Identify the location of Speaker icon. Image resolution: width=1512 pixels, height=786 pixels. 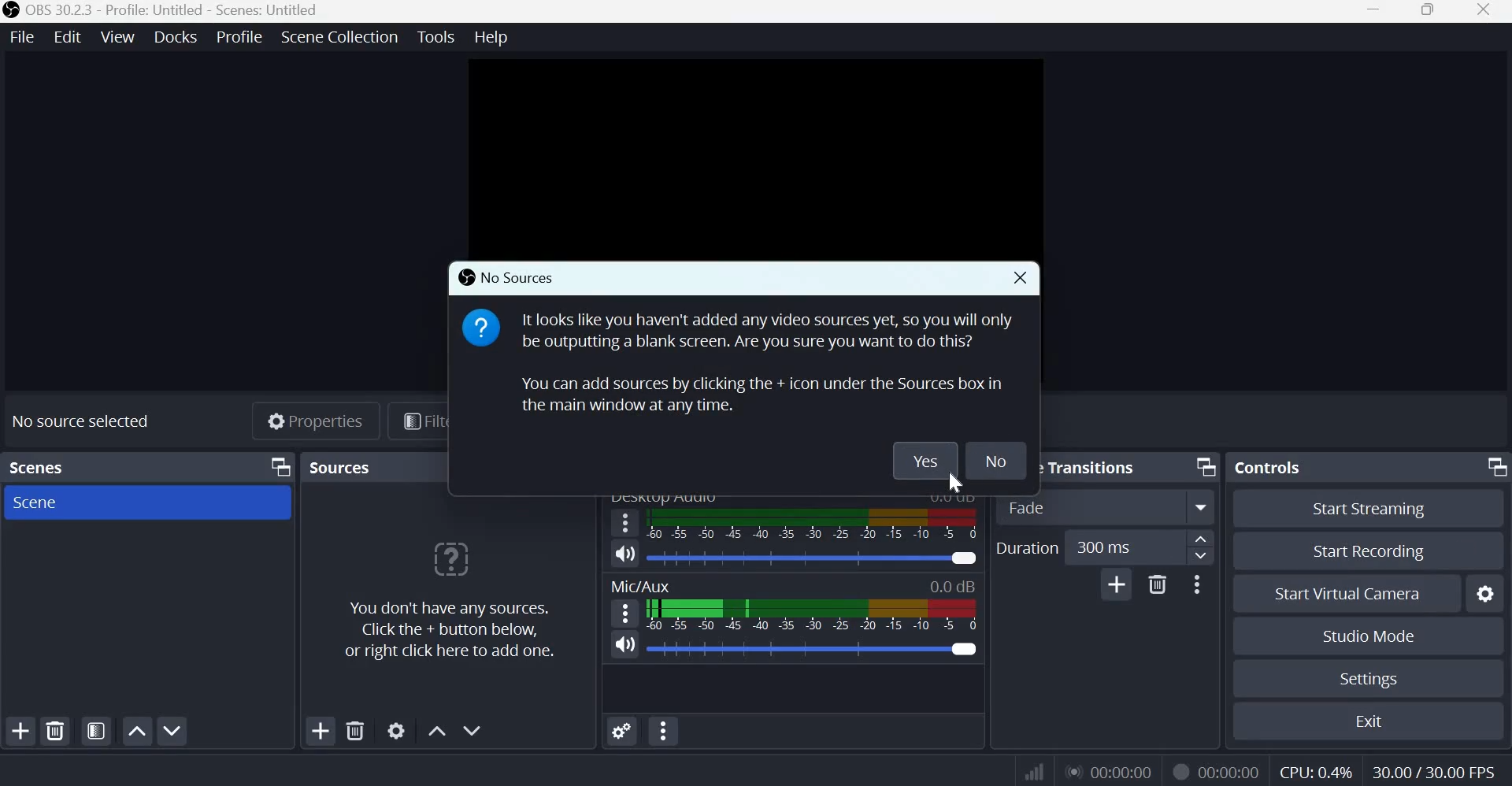
(626, 644).